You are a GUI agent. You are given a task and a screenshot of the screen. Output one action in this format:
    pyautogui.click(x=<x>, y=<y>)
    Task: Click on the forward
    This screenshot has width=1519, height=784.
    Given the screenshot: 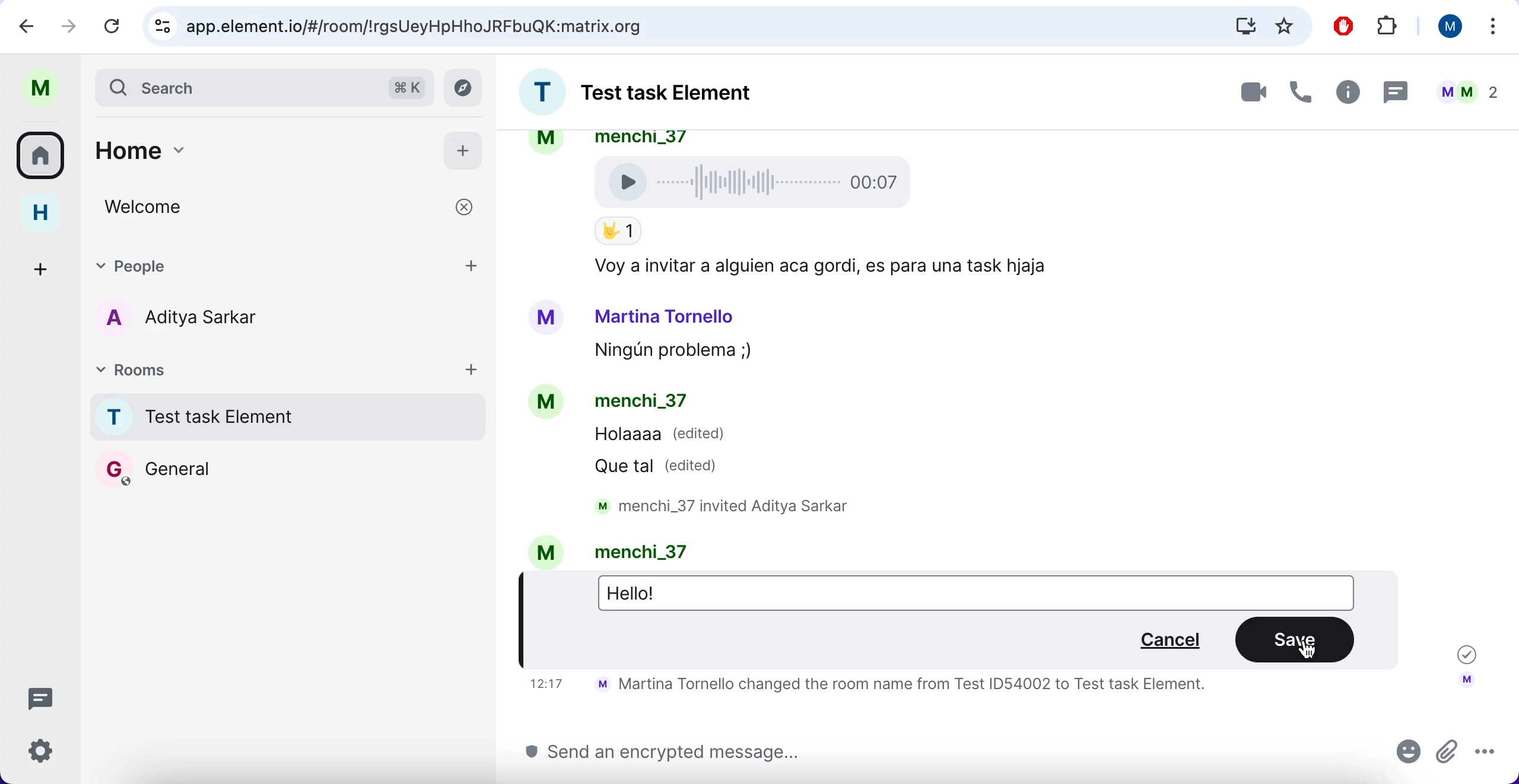 What is the action you would take?
    pyautogui.click(x=68, y=28)
    